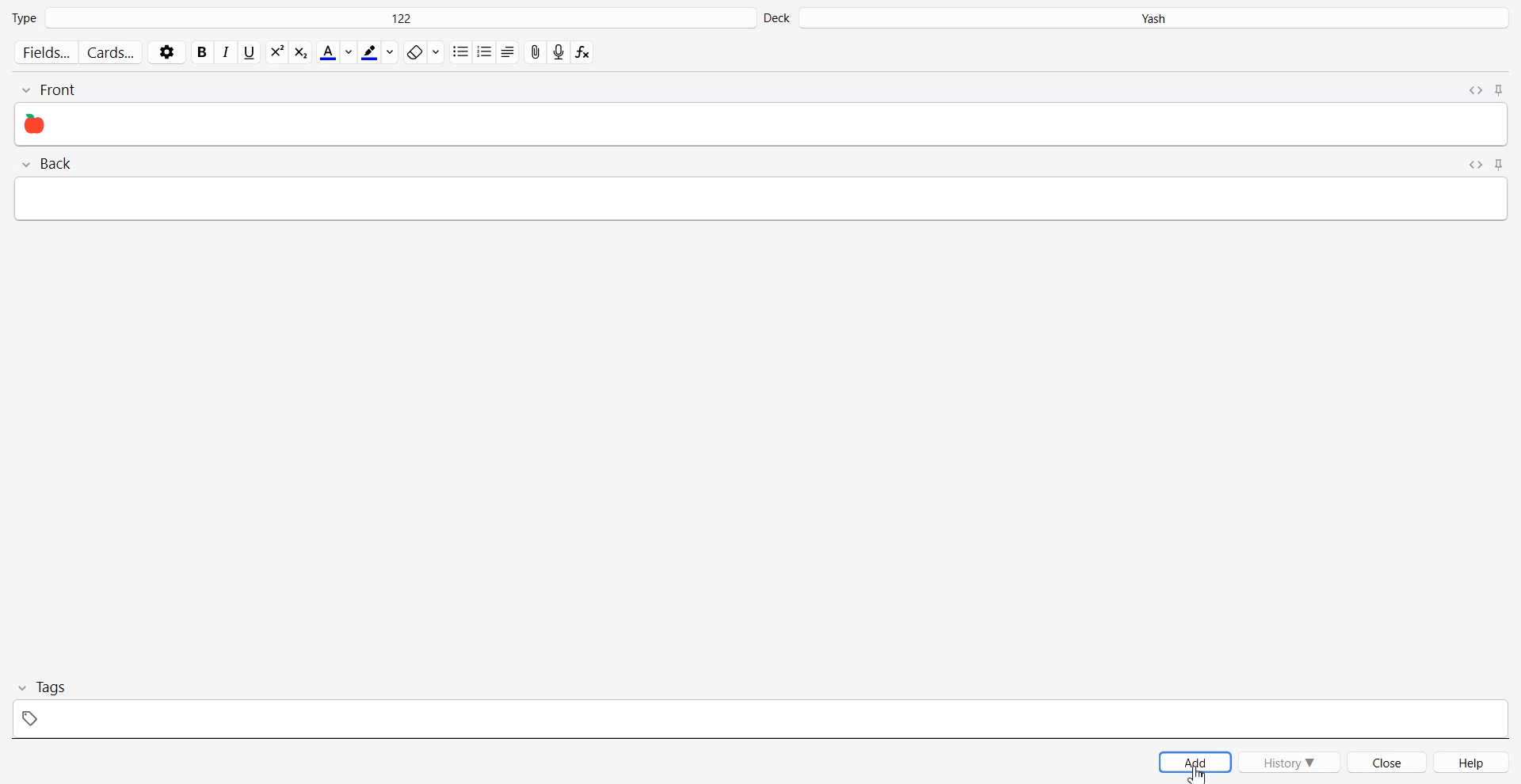 This screenshot has height=784, width=1521. Describe the element at coordinates (484, 51) in the screenshot. I see `ordered list` at that location.